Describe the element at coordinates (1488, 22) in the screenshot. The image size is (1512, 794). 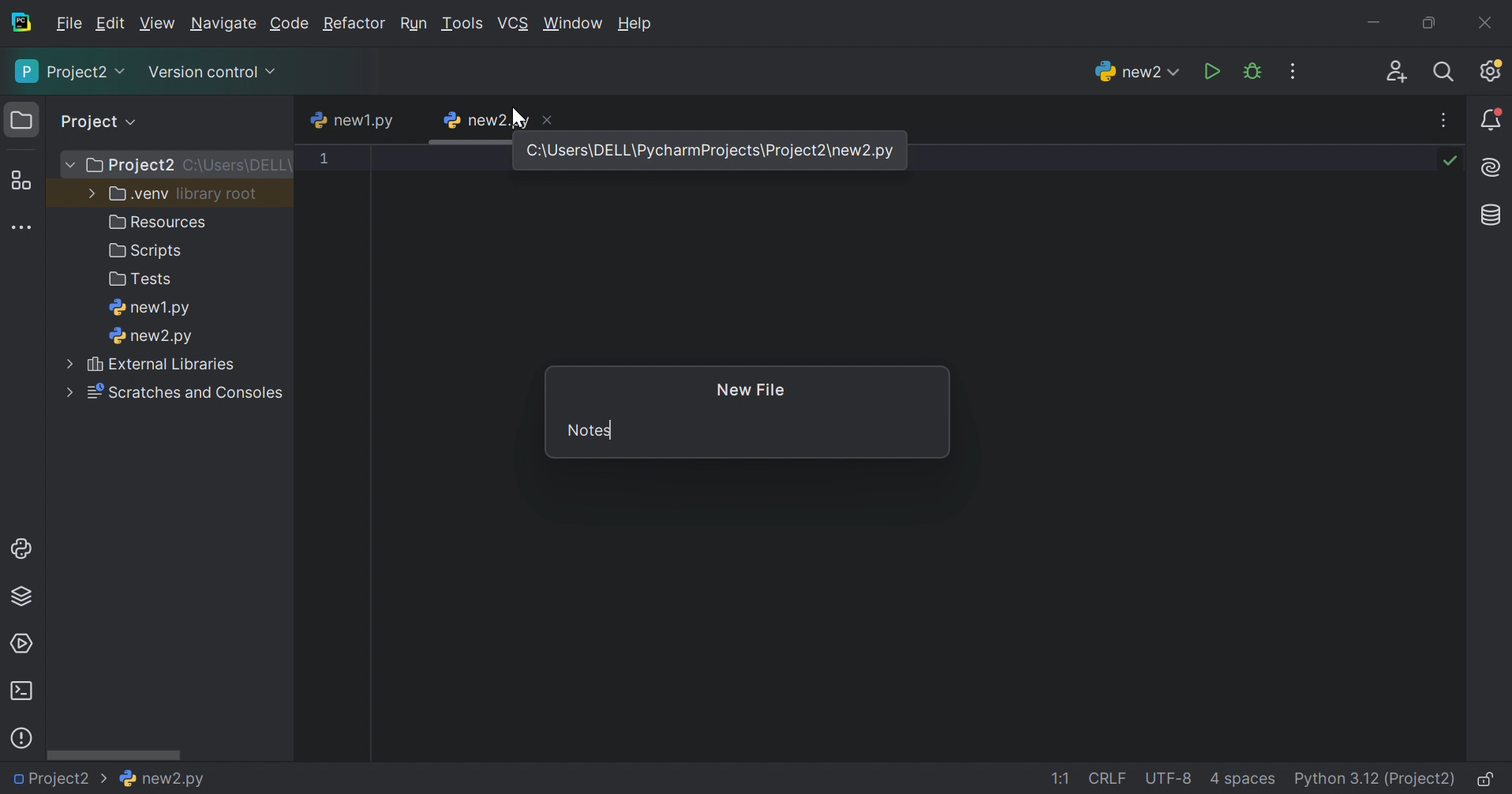
I see `Close` at that location.